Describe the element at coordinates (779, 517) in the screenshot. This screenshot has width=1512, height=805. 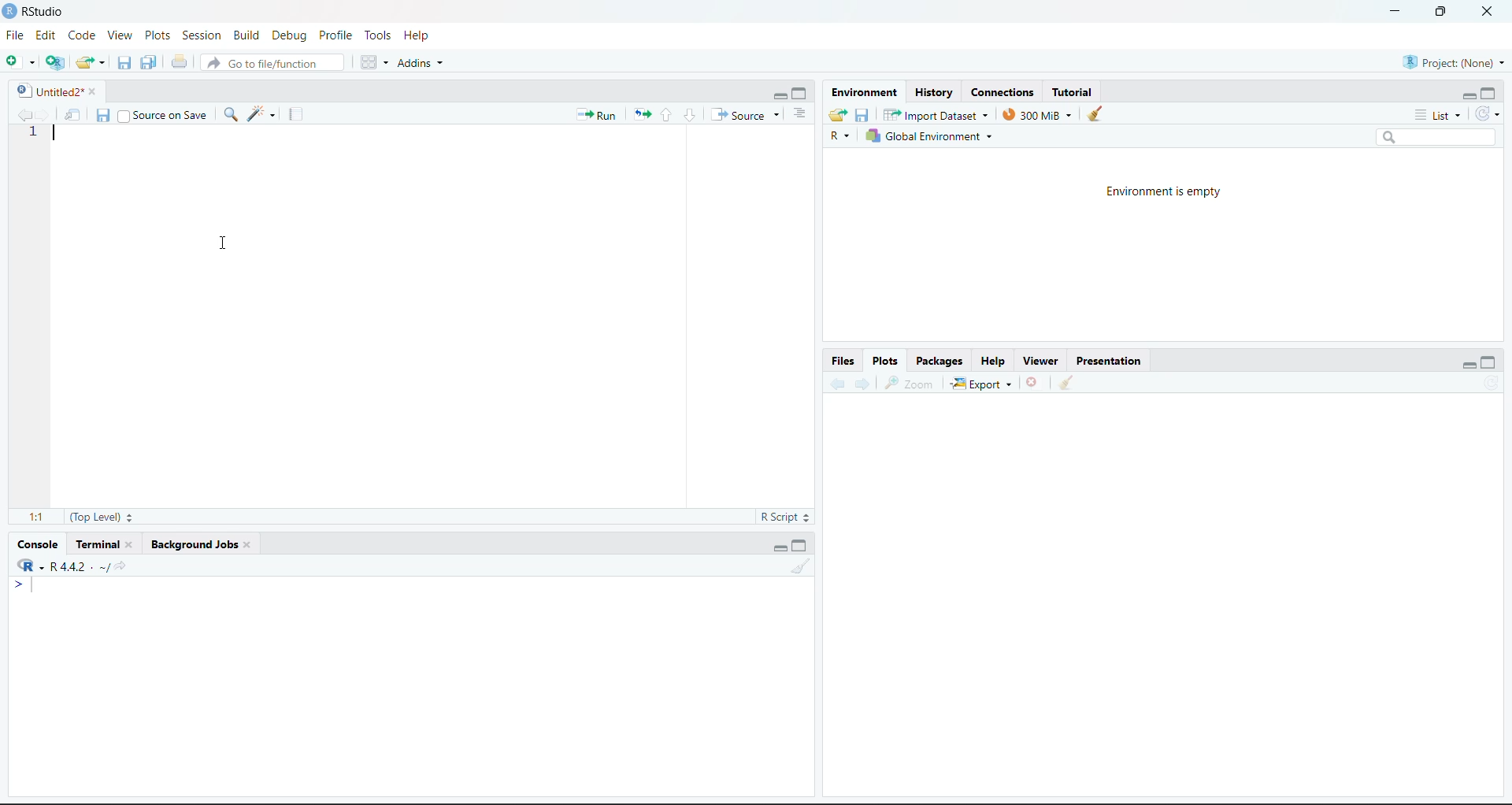
I see `R Script ` at that location.